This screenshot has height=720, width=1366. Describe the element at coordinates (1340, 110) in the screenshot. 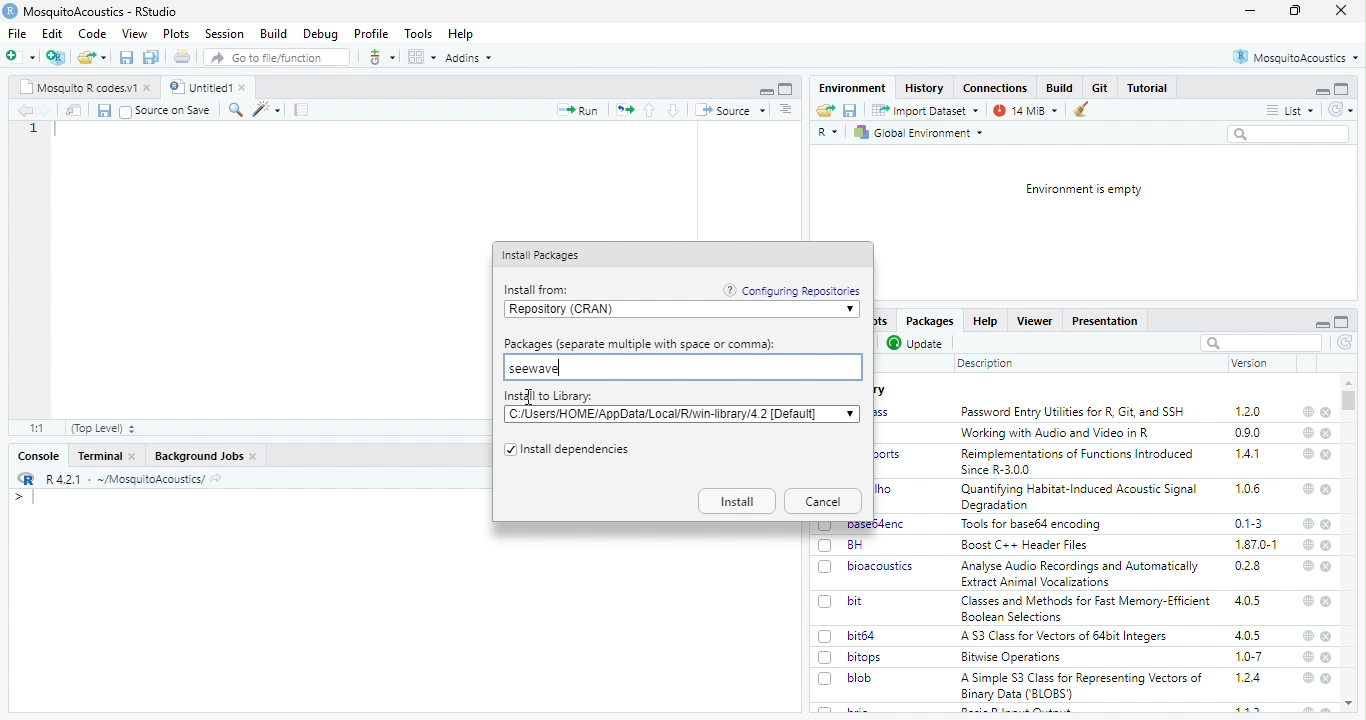

I see `sync` at that location.